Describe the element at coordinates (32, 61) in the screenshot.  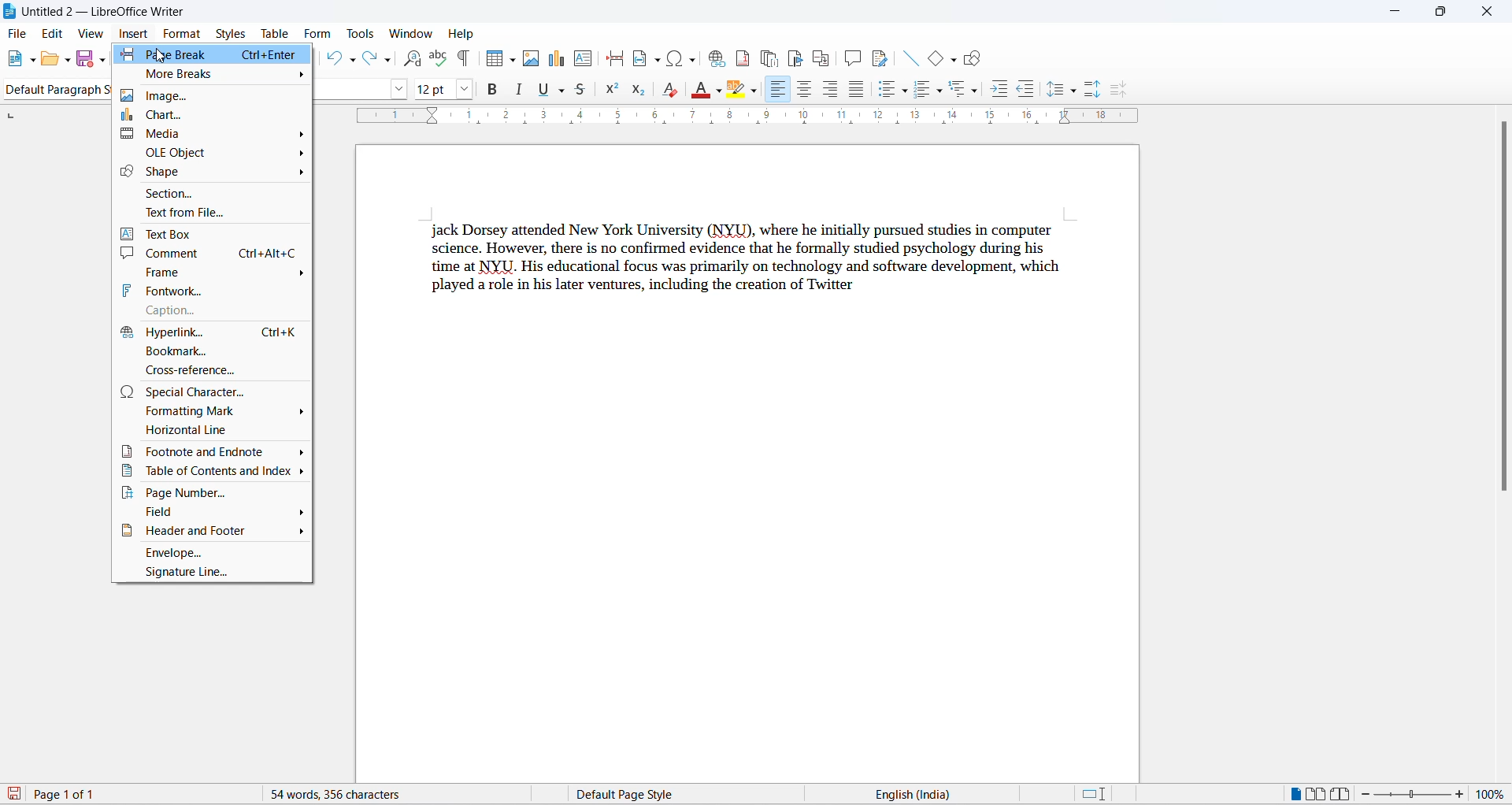
I see `new file options` at that location.